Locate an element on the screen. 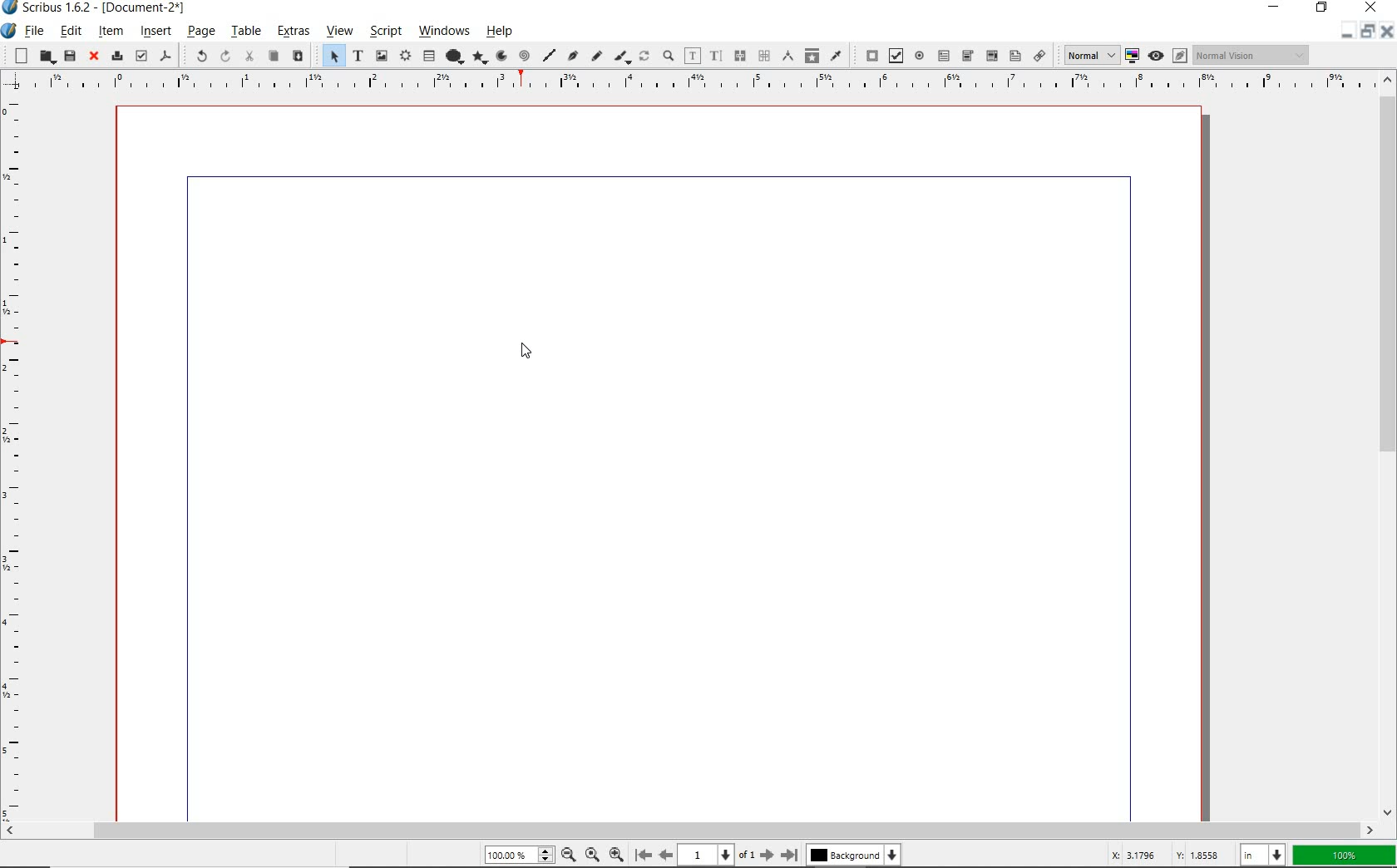 The image size is (1397, 868). measurements is located at coordinates (789, 56).